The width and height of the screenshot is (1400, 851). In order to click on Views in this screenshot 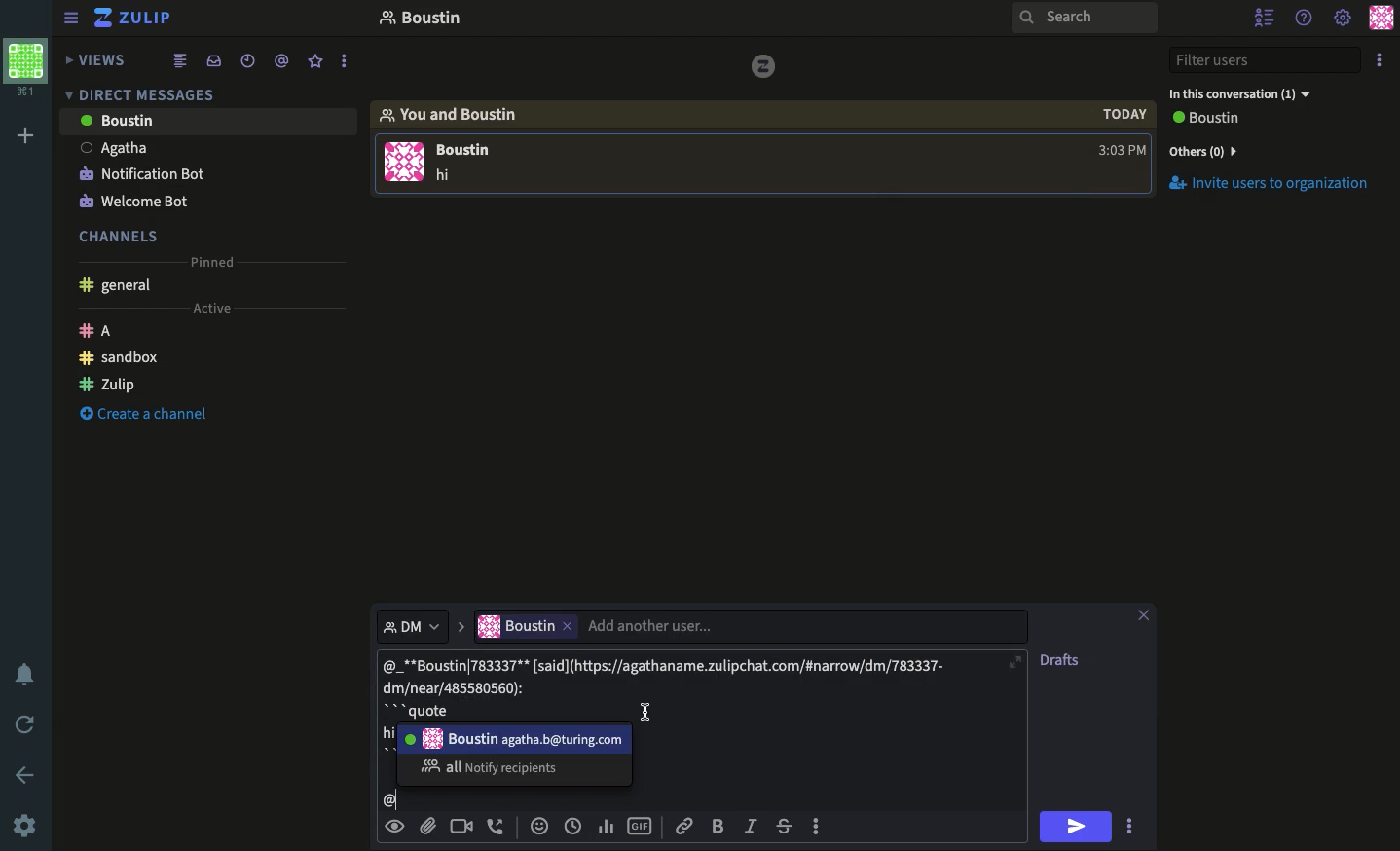, I will do `click(100, 57)`.